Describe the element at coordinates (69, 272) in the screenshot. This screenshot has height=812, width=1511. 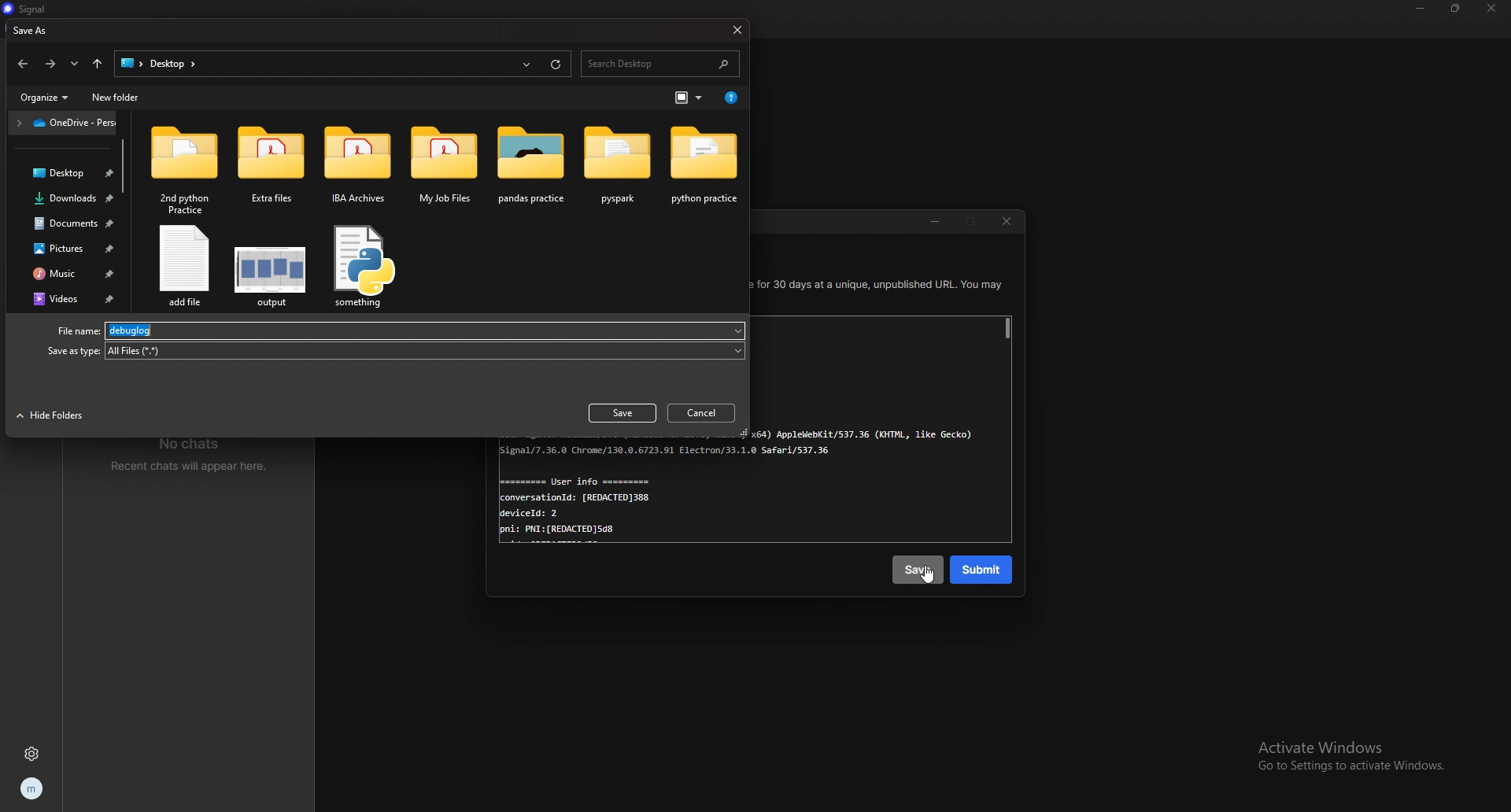
I see `music` at that location.